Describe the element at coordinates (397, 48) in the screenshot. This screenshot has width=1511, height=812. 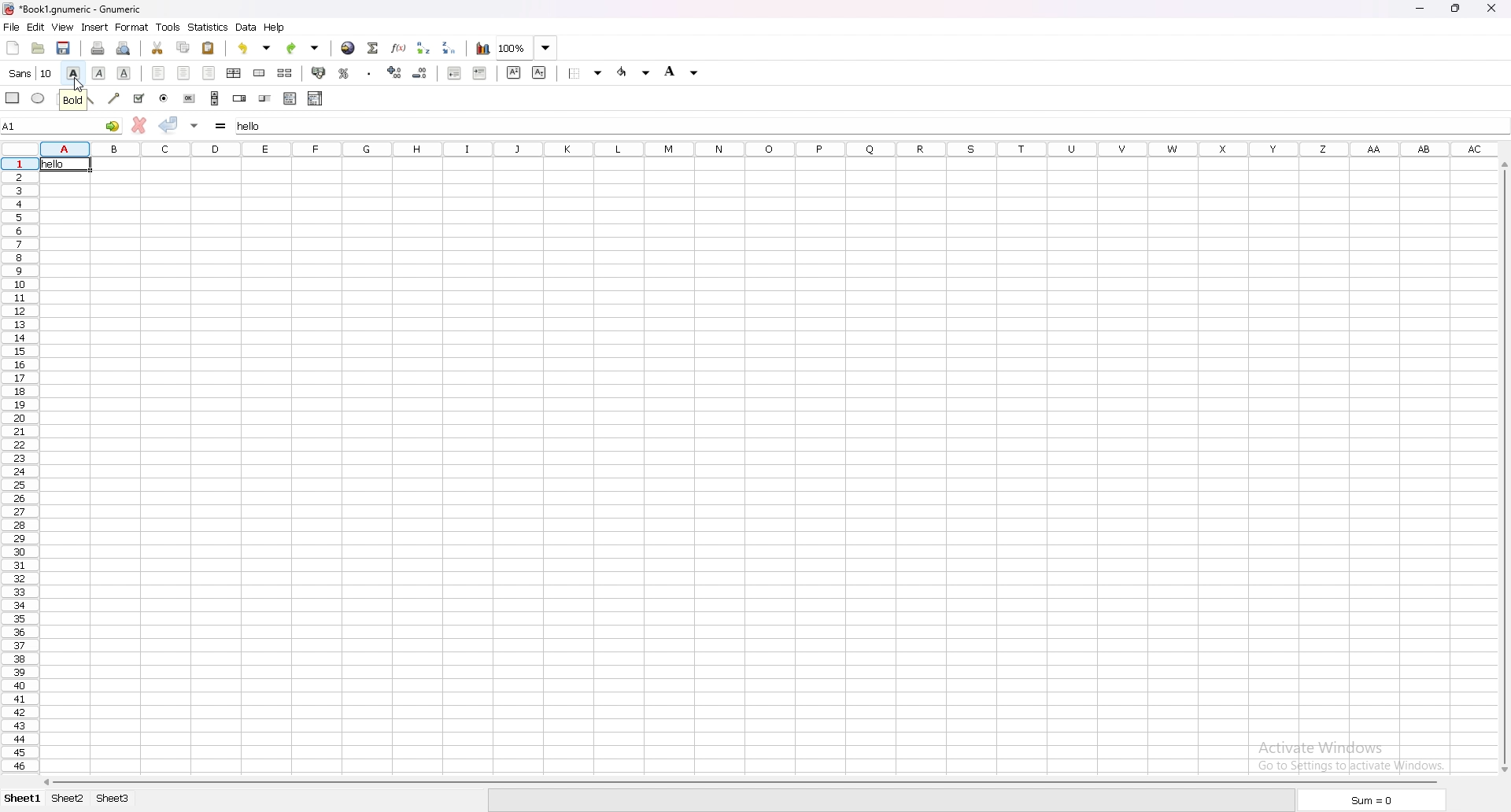
I see `function` at that location.